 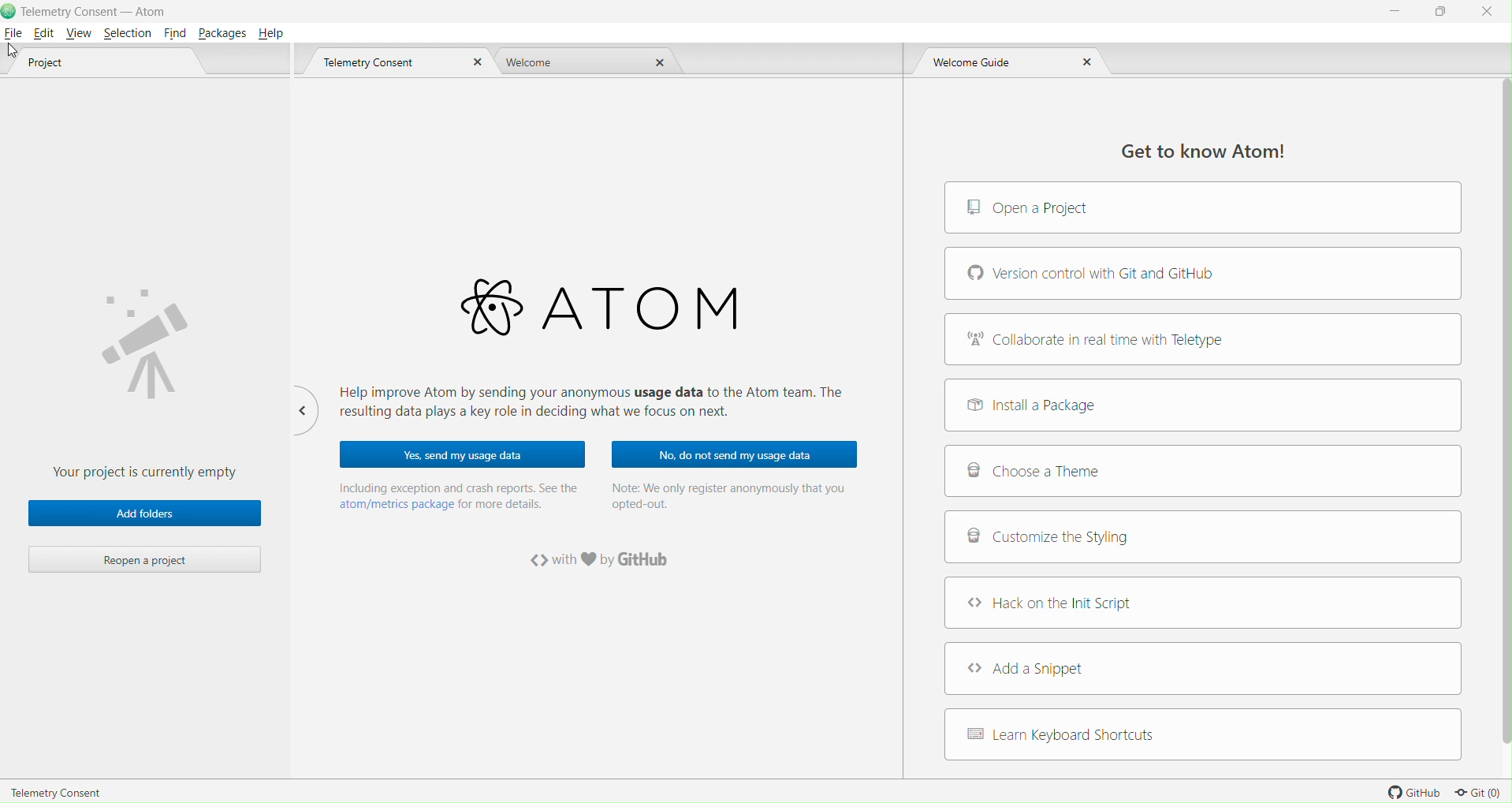 I want to click on Close, so click(x=475, y=64).